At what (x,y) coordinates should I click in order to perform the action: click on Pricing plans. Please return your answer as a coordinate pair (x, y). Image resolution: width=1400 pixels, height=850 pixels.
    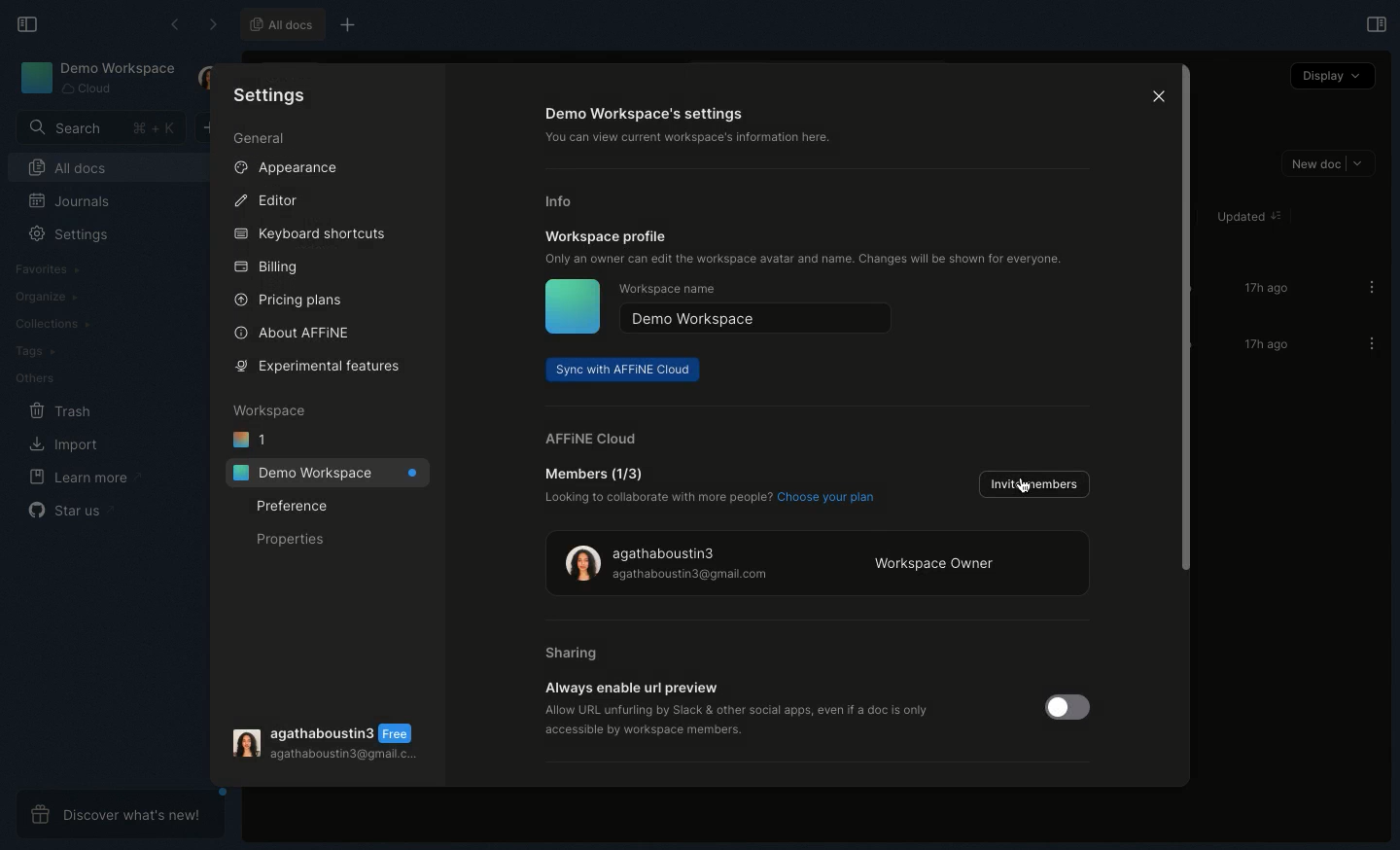
    Looking at the image, I should click on (289, 300).